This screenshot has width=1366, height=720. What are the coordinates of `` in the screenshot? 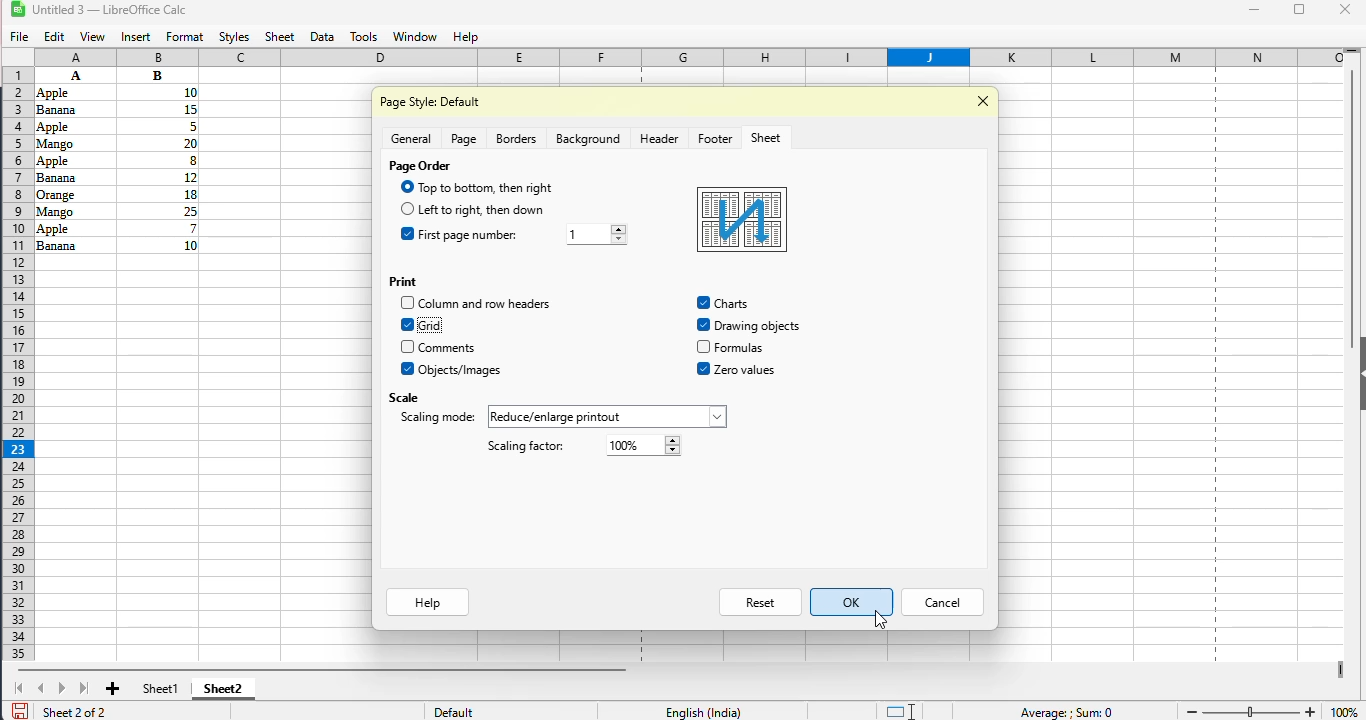 It's located at (73, 160).